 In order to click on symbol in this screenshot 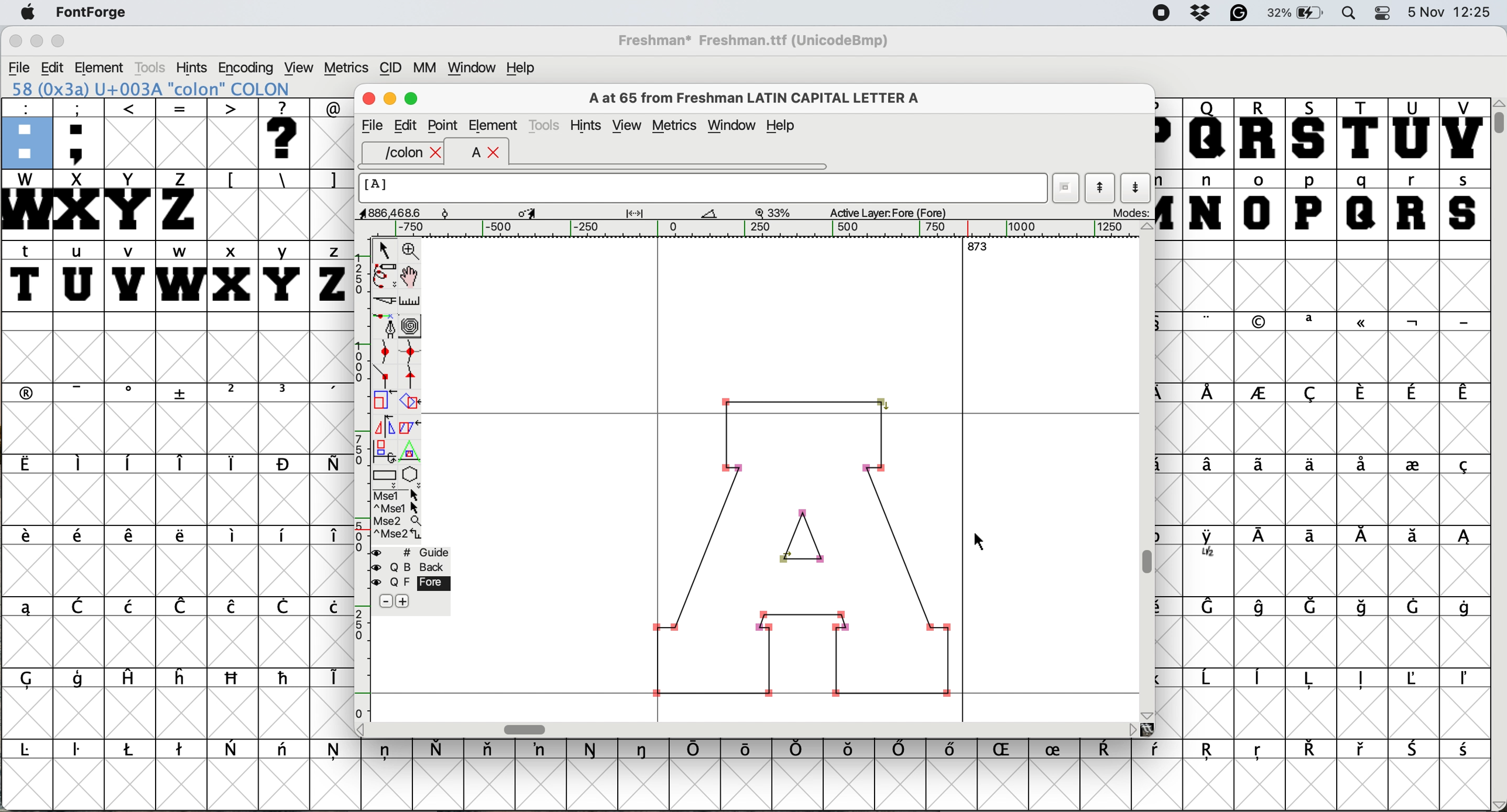, I will do `click(1312, 679)`.